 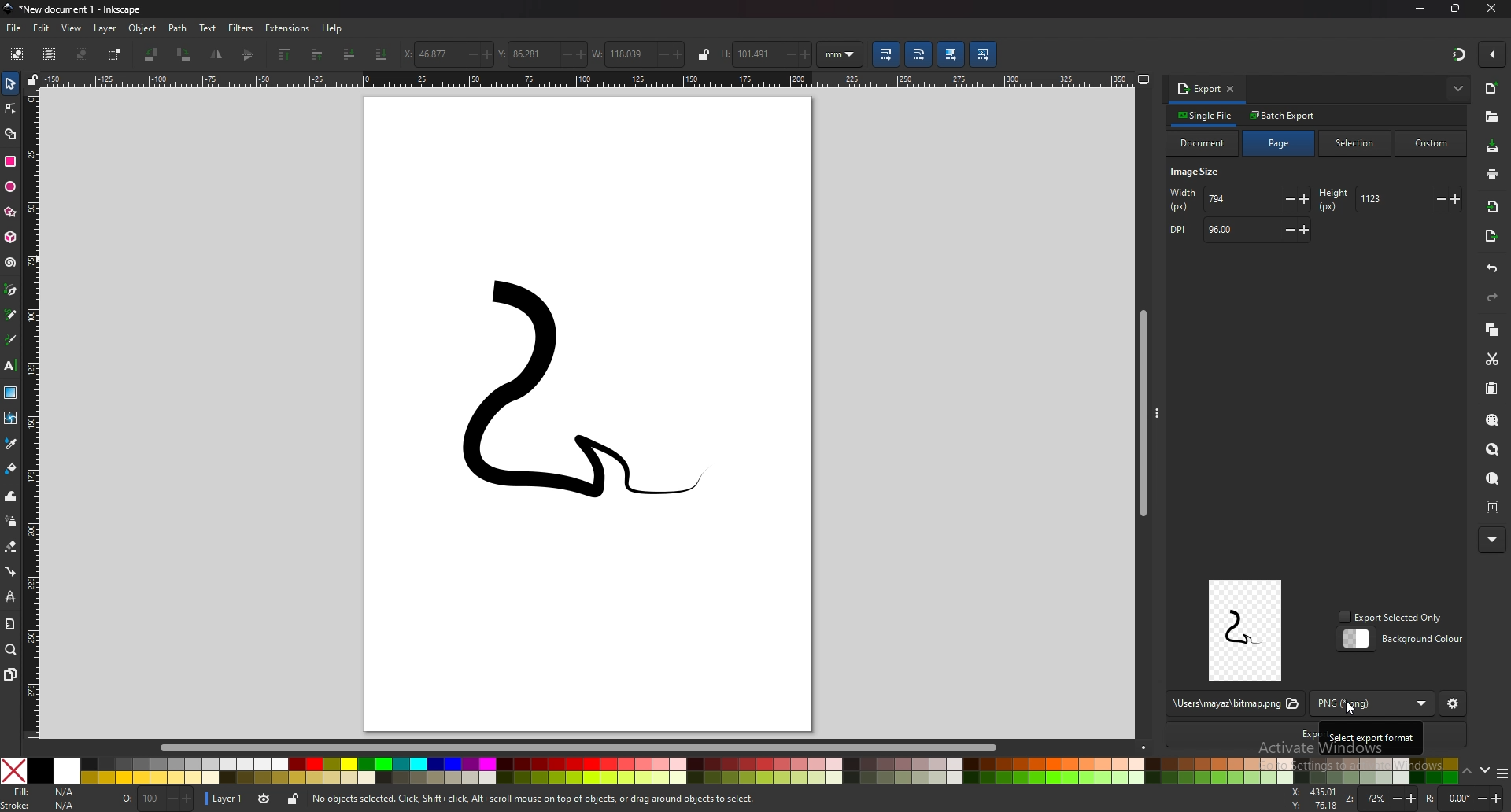 I want to click on object, so click(x=143, y=29).